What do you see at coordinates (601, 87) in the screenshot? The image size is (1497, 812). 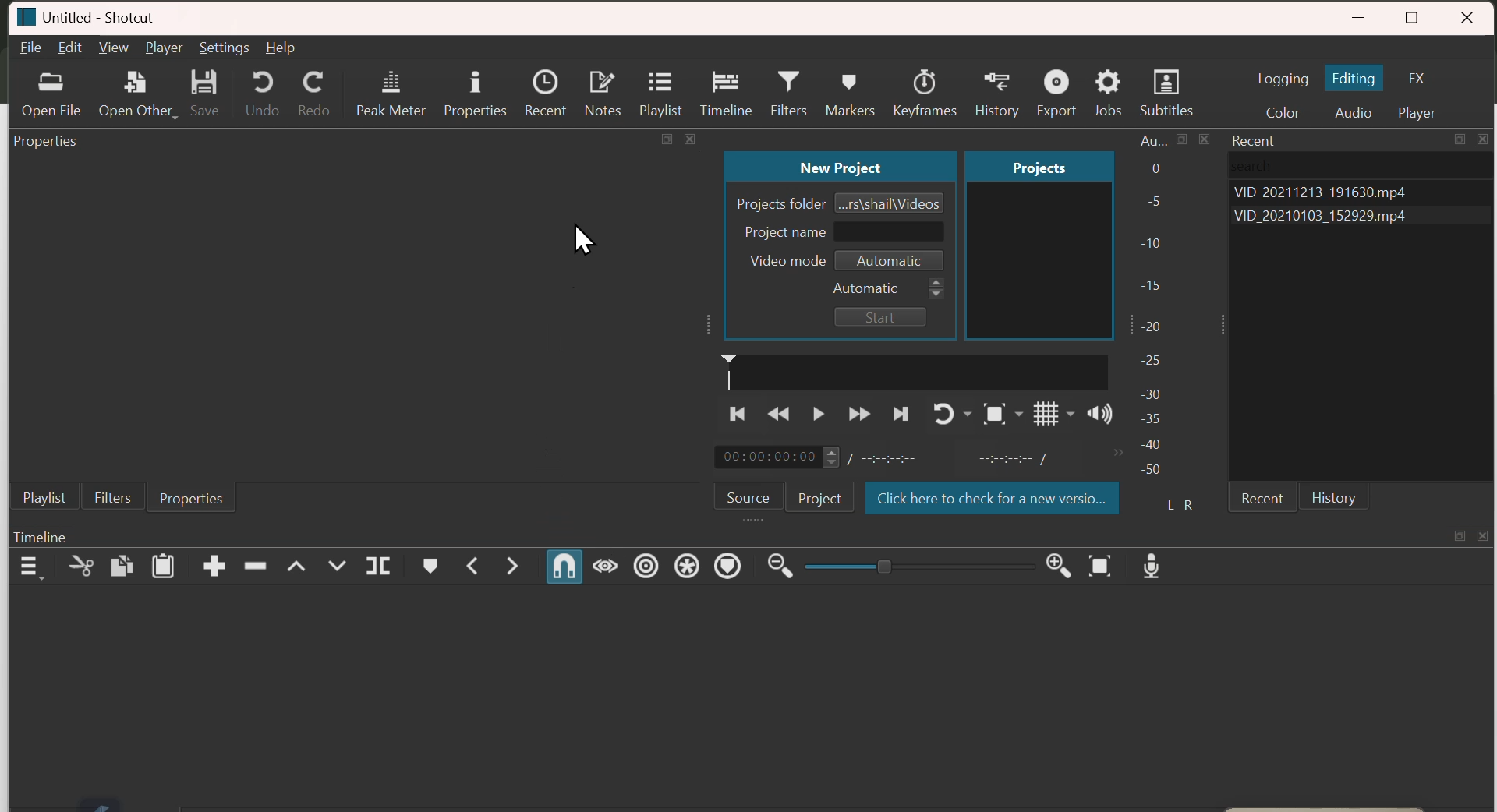 I see `notes` at bounding box center [601, 87].